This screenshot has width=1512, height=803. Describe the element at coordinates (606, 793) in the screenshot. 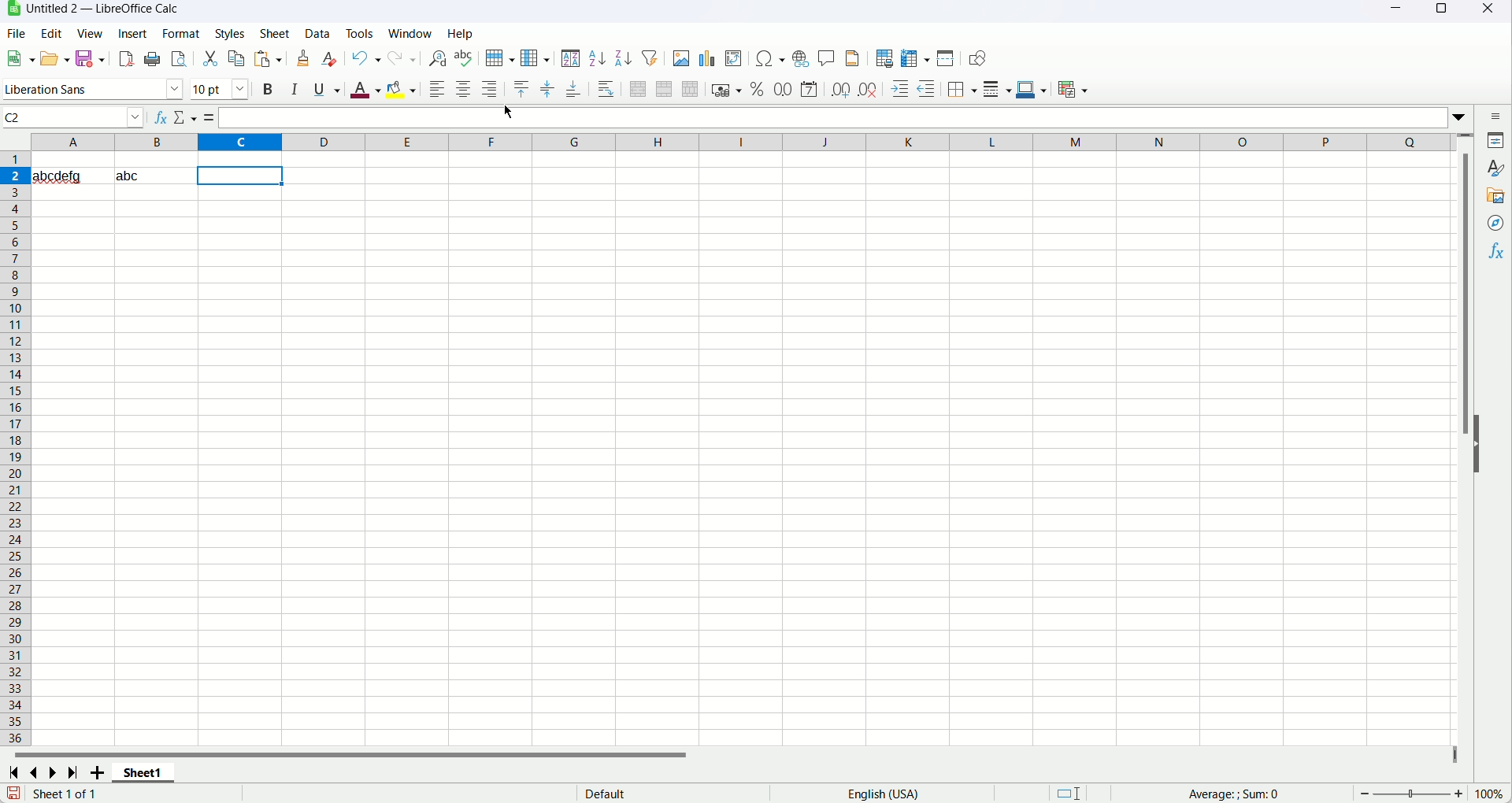

I see `default` at that location.